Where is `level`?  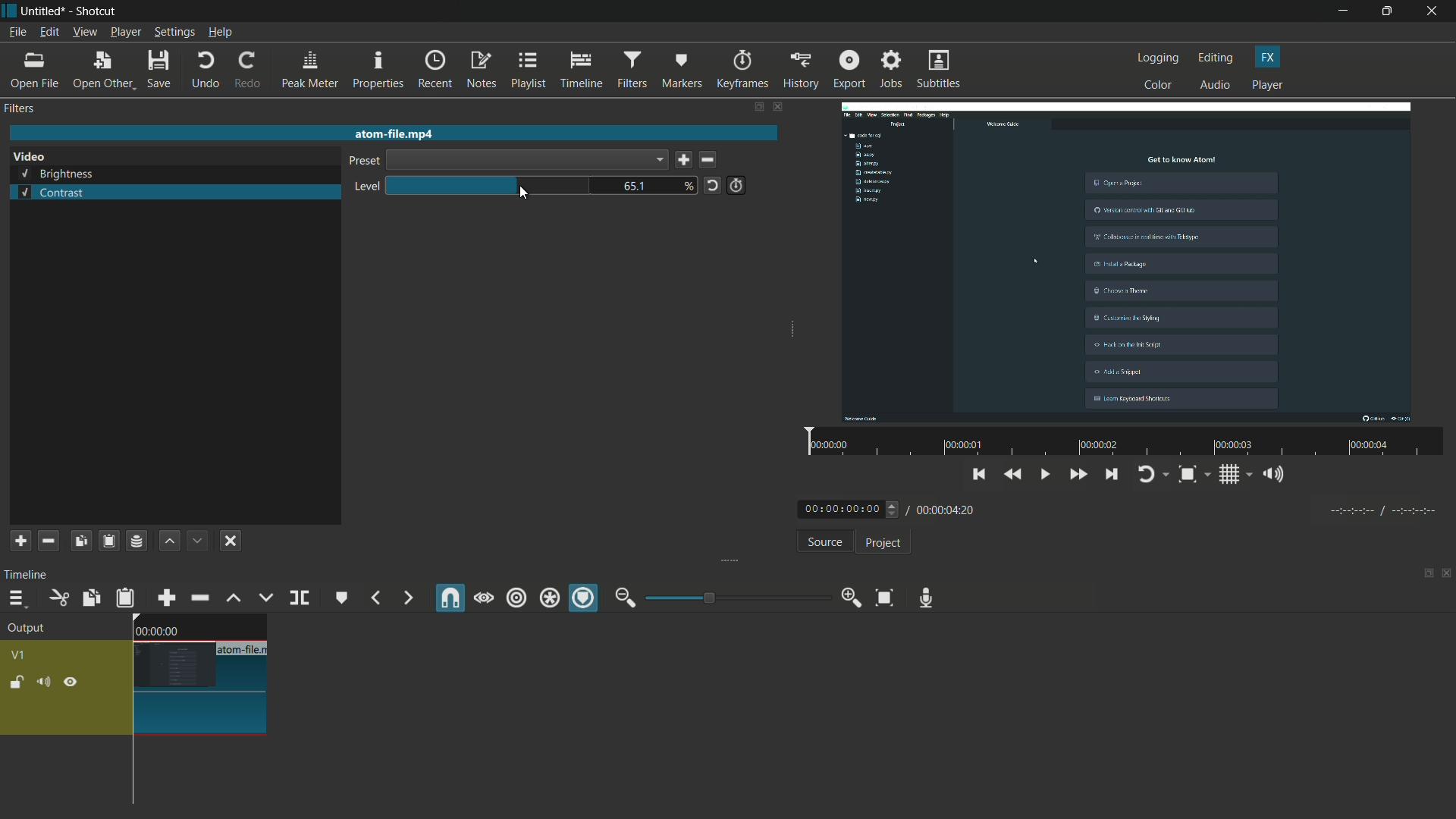
level is located at coordinates (363, 187).